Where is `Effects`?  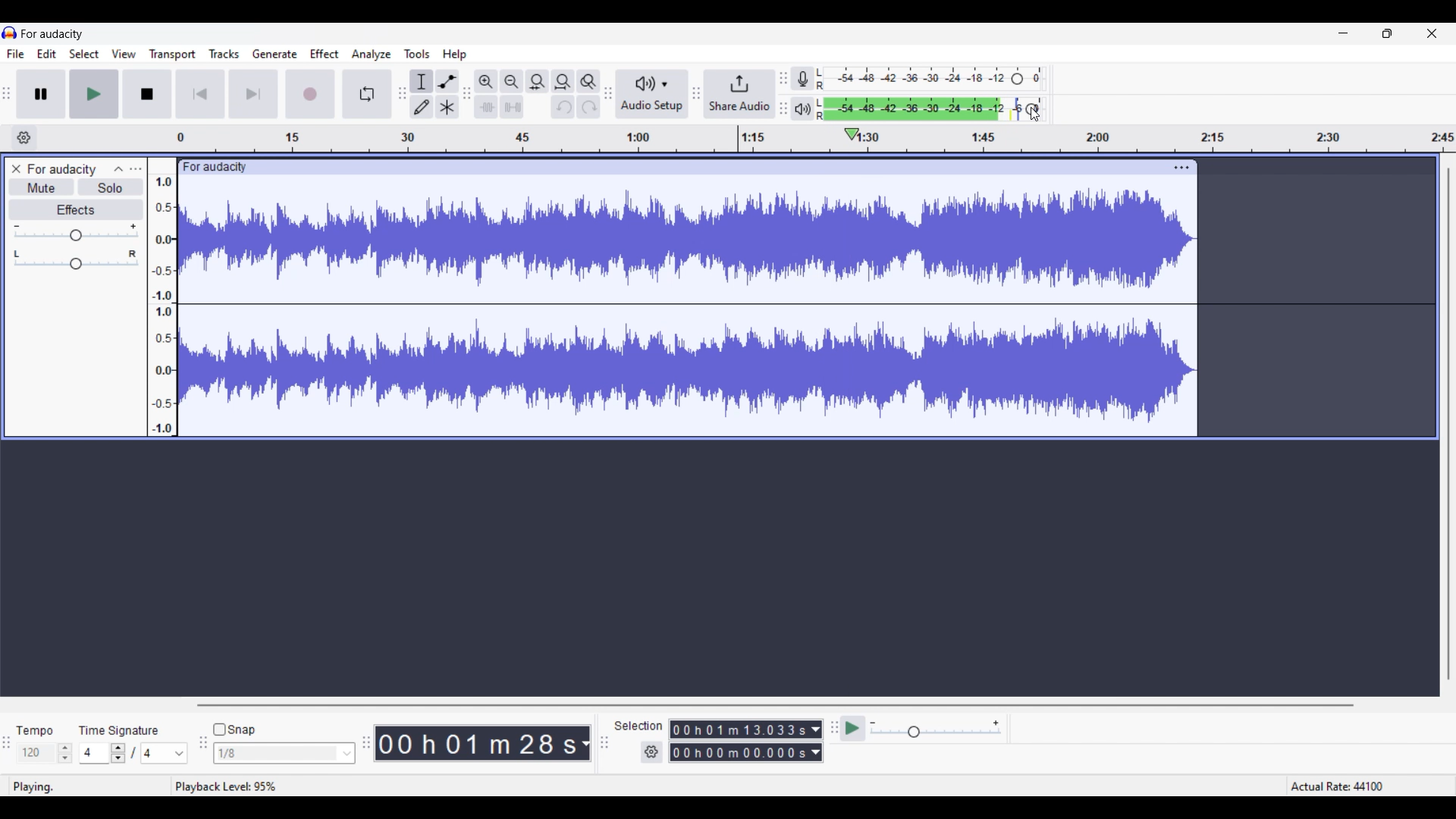
Effects is located at coordinates (76, 209).